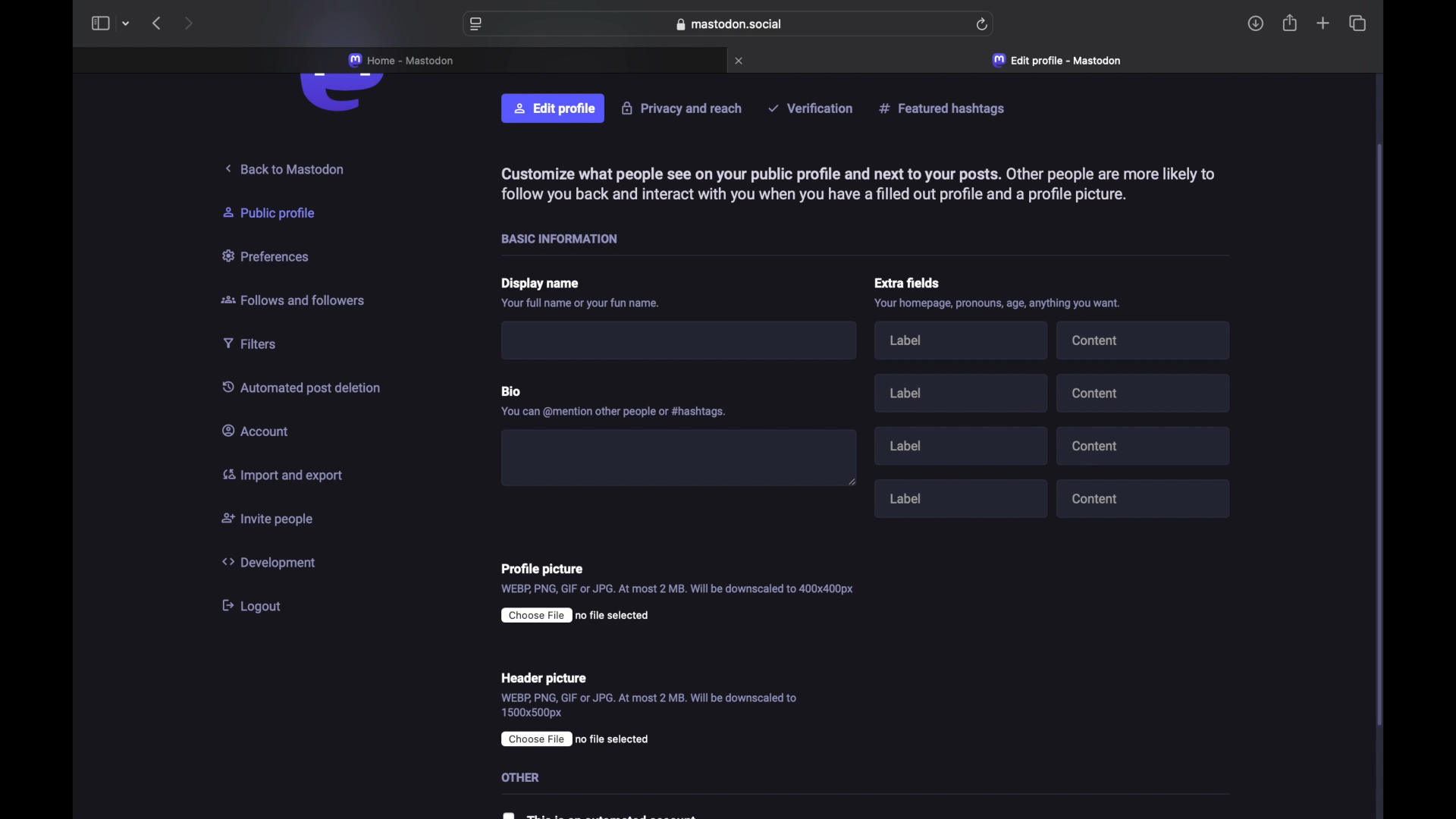  What do you see at coordinates (964, 340) in the screenshot?
I see `label` at bounding box center [964, 340].